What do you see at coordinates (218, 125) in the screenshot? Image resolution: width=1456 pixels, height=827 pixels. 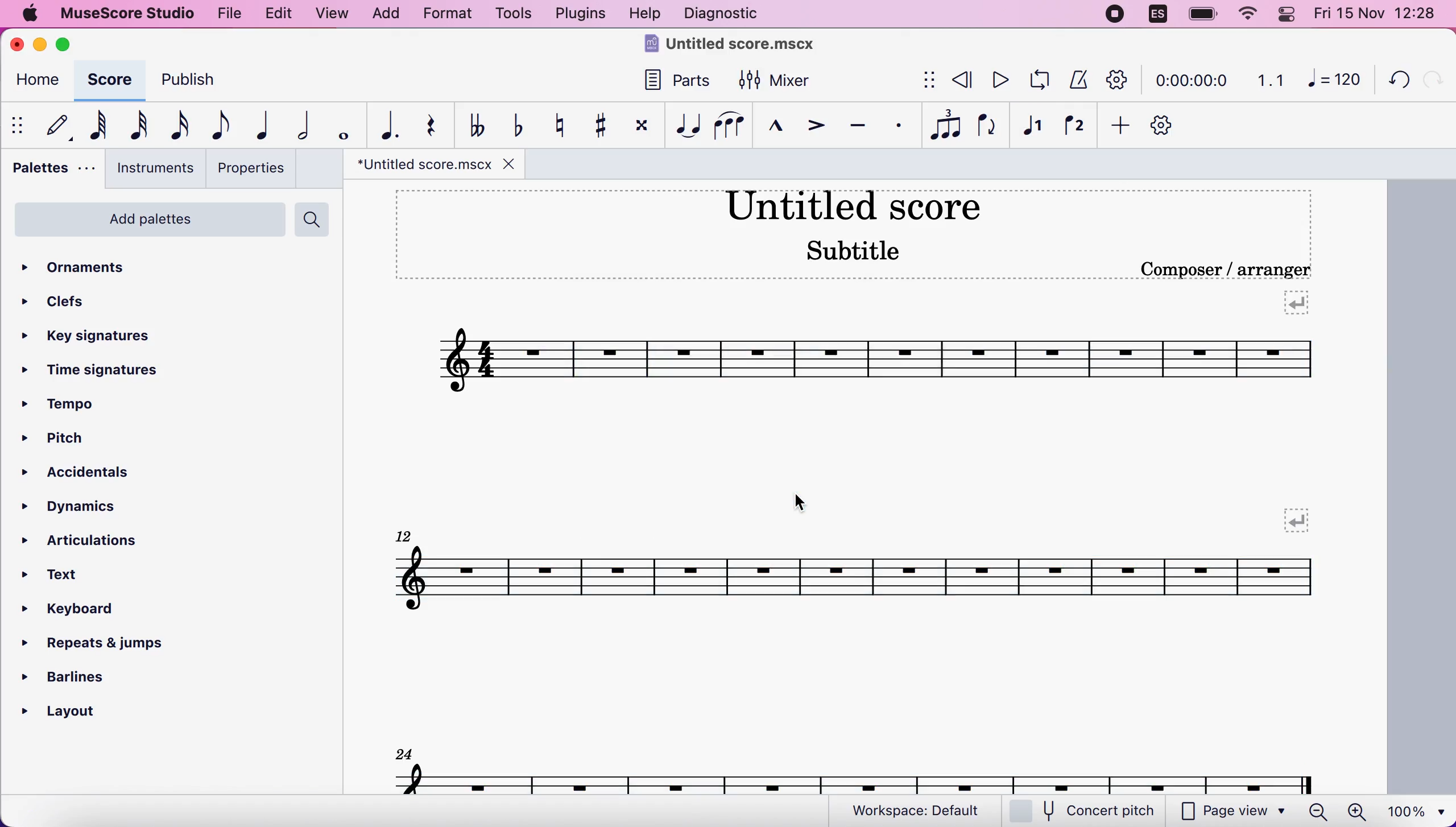 I see `eight note` at bounding box center [218, 125].